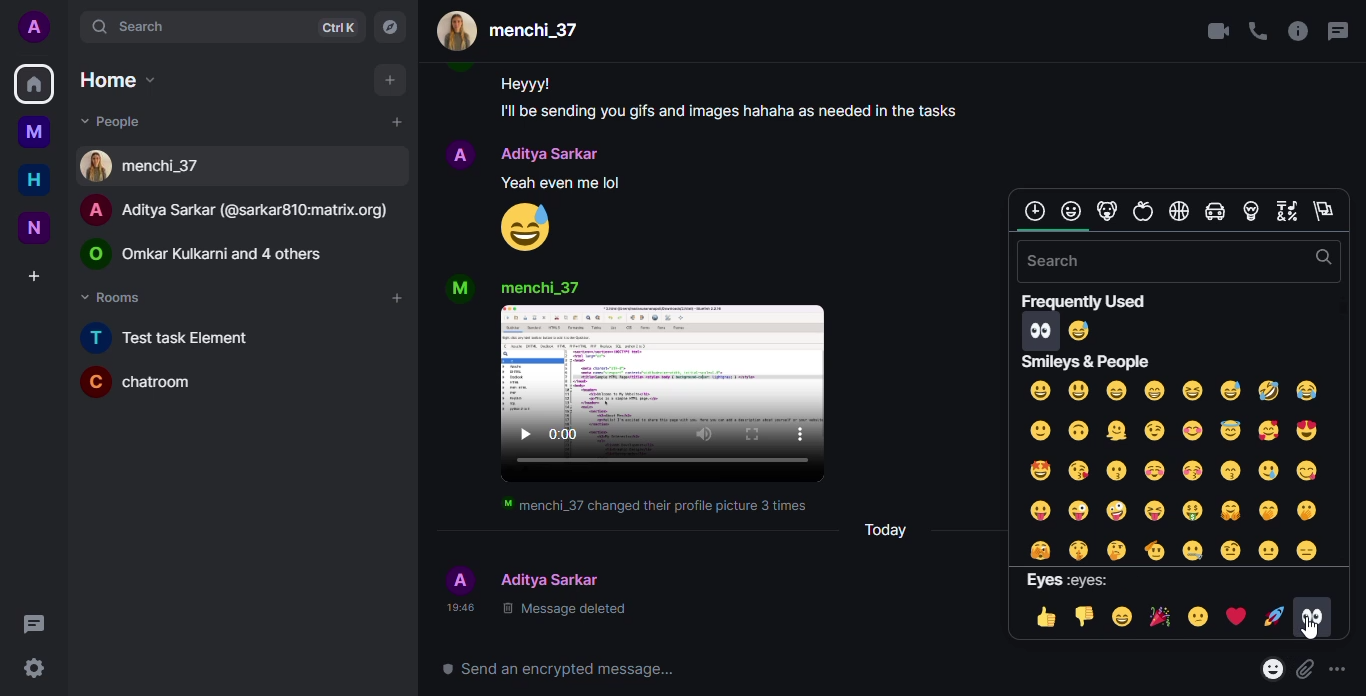 This screenshot has height=696, width=1366. Describe the element at coordinates (1065, 260) in the screenshot. I see `search` at that location.